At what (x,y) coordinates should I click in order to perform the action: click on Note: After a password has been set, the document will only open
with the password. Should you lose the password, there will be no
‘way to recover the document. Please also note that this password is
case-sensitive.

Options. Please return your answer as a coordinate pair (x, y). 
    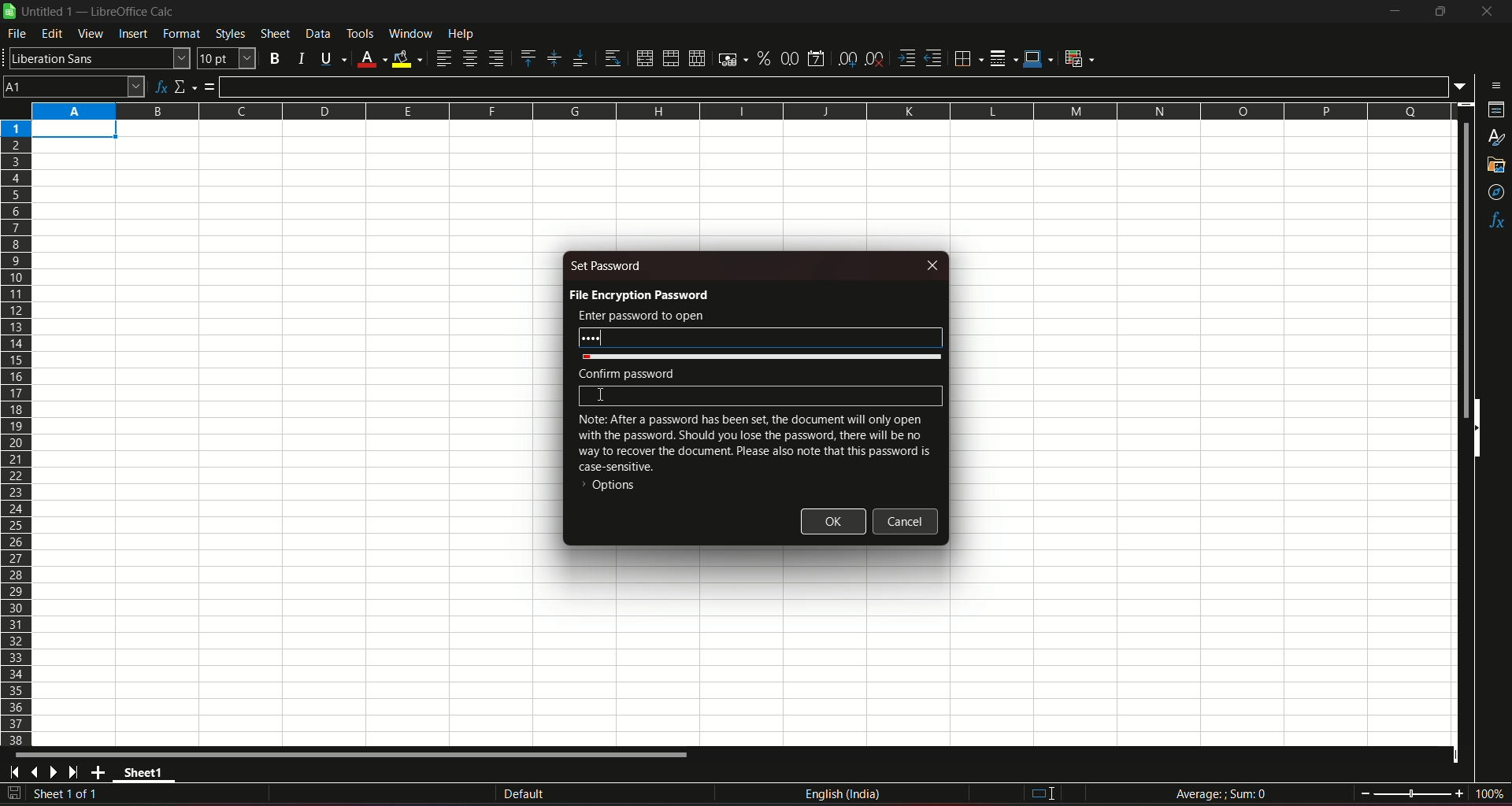
    Looking at the image, I should click on (753, 457).